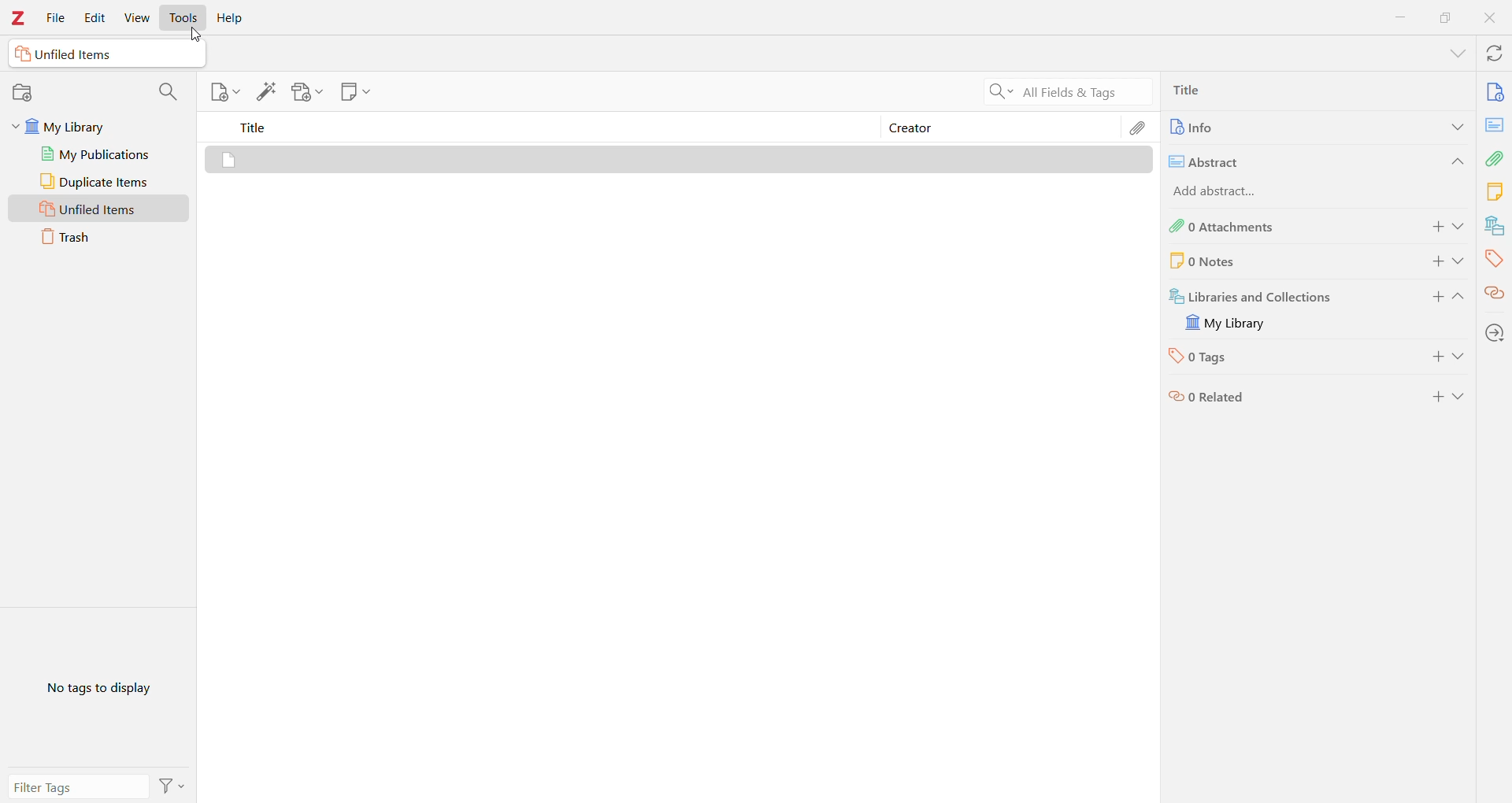  Describe the element at coordinates (1490, 19) in the screenshot. I see `Close` at that location.